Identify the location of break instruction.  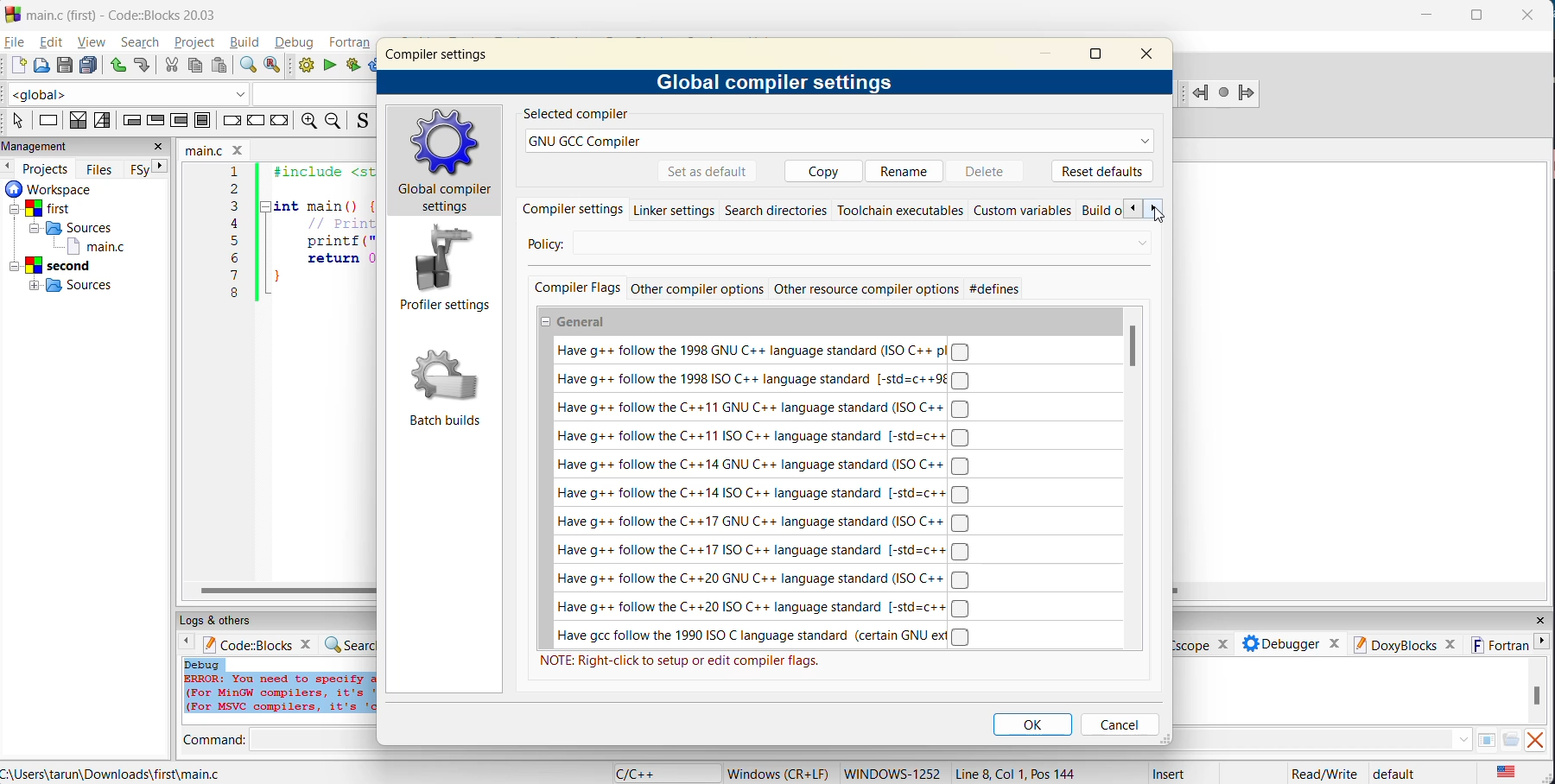
(229, 121).